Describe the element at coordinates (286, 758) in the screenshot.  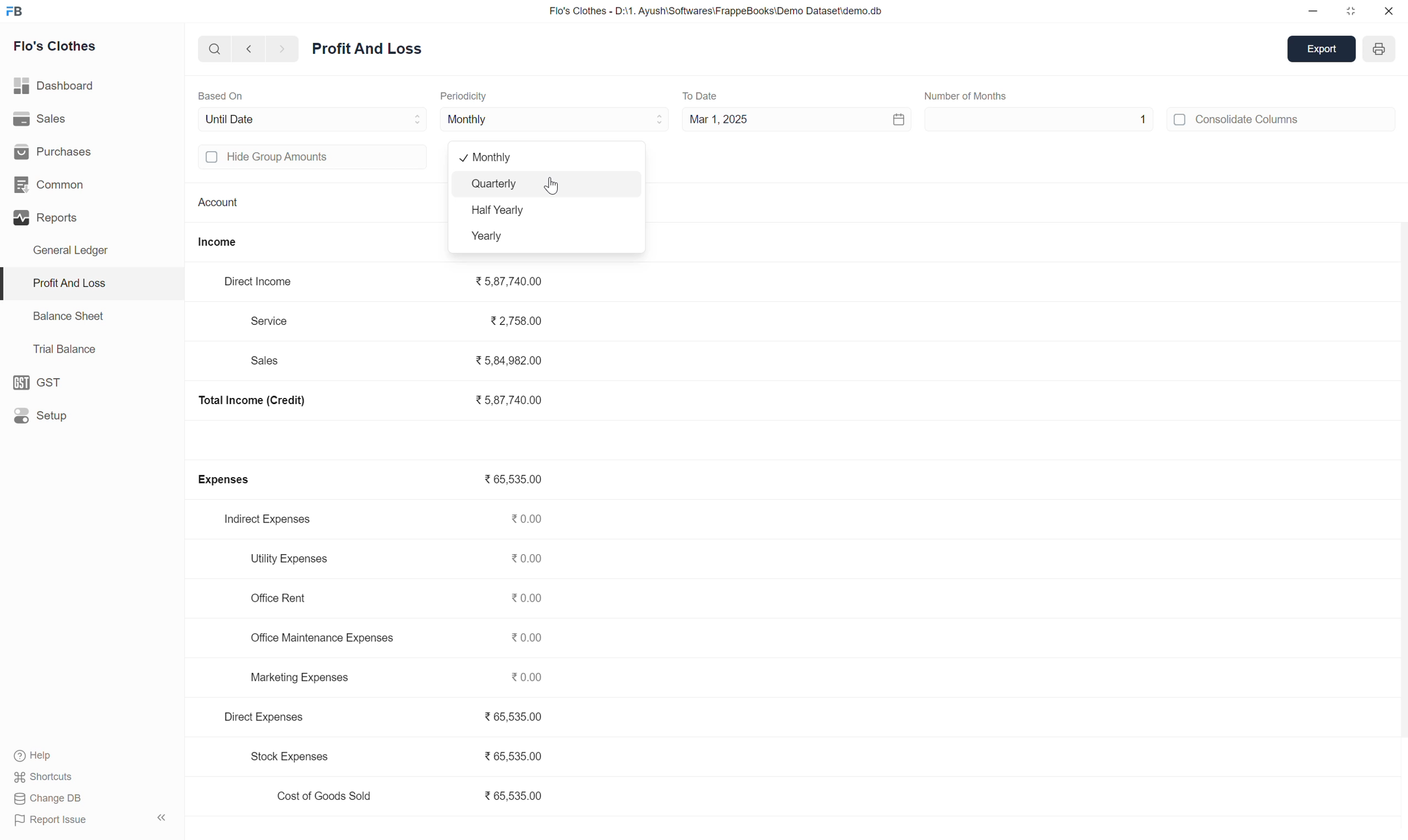
I see `Stock Expenses` at that location.